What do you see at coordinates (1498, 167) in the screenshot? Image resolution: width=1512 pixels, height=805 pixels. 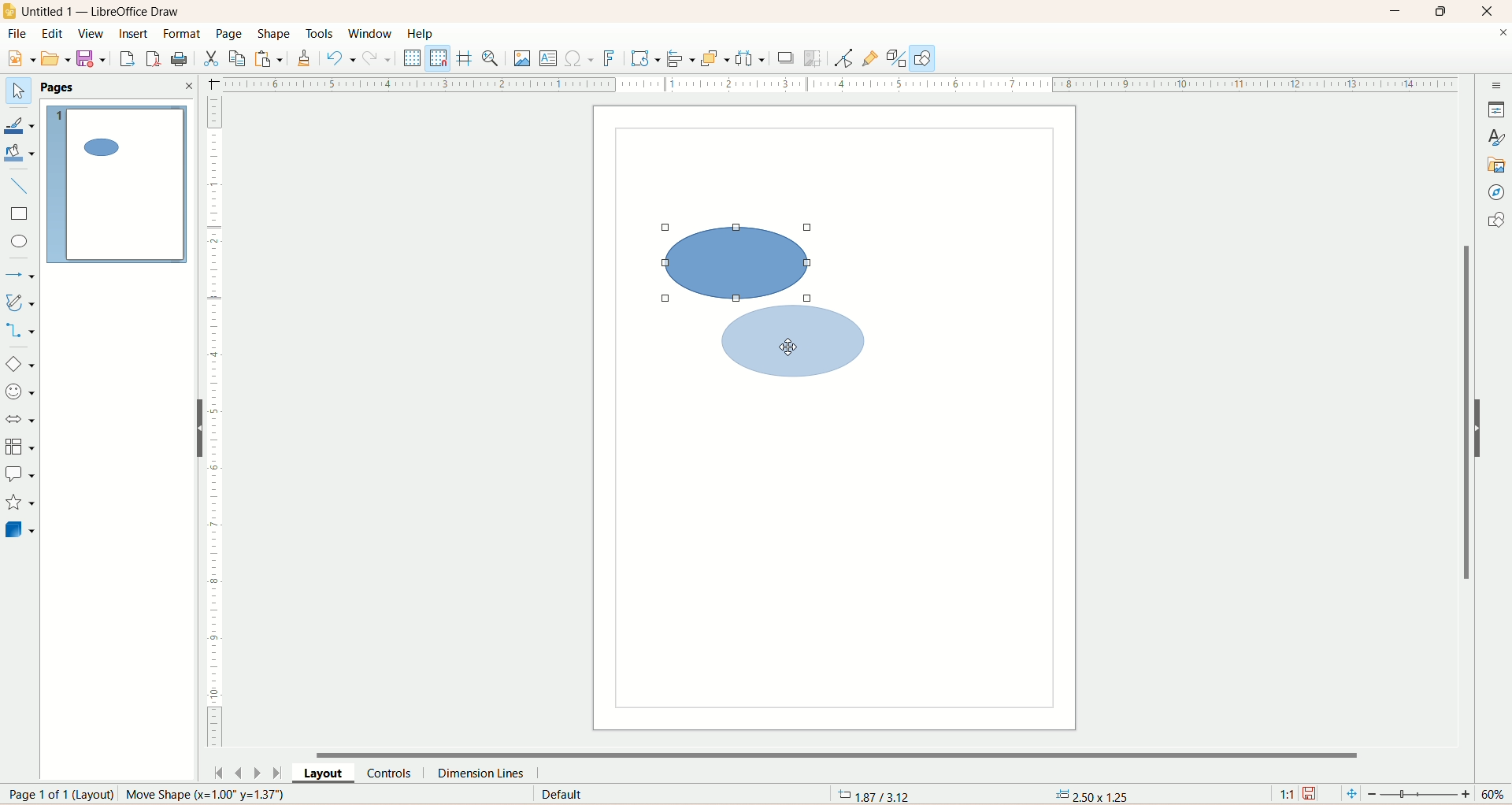 I see `gallery` at bounding box center [1498, 167].